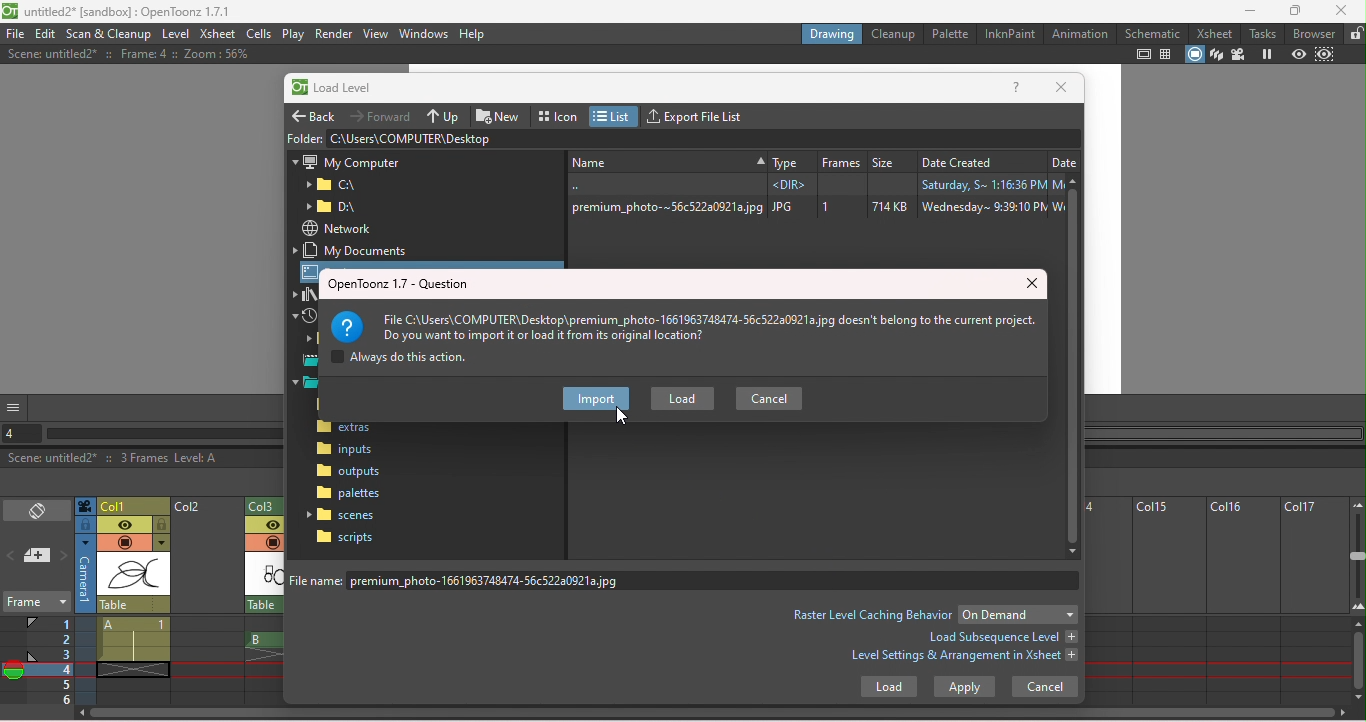 Image resolution: width=1366 pixels, height=722 pixels. I want to click on Palettes, so click(350, 493).